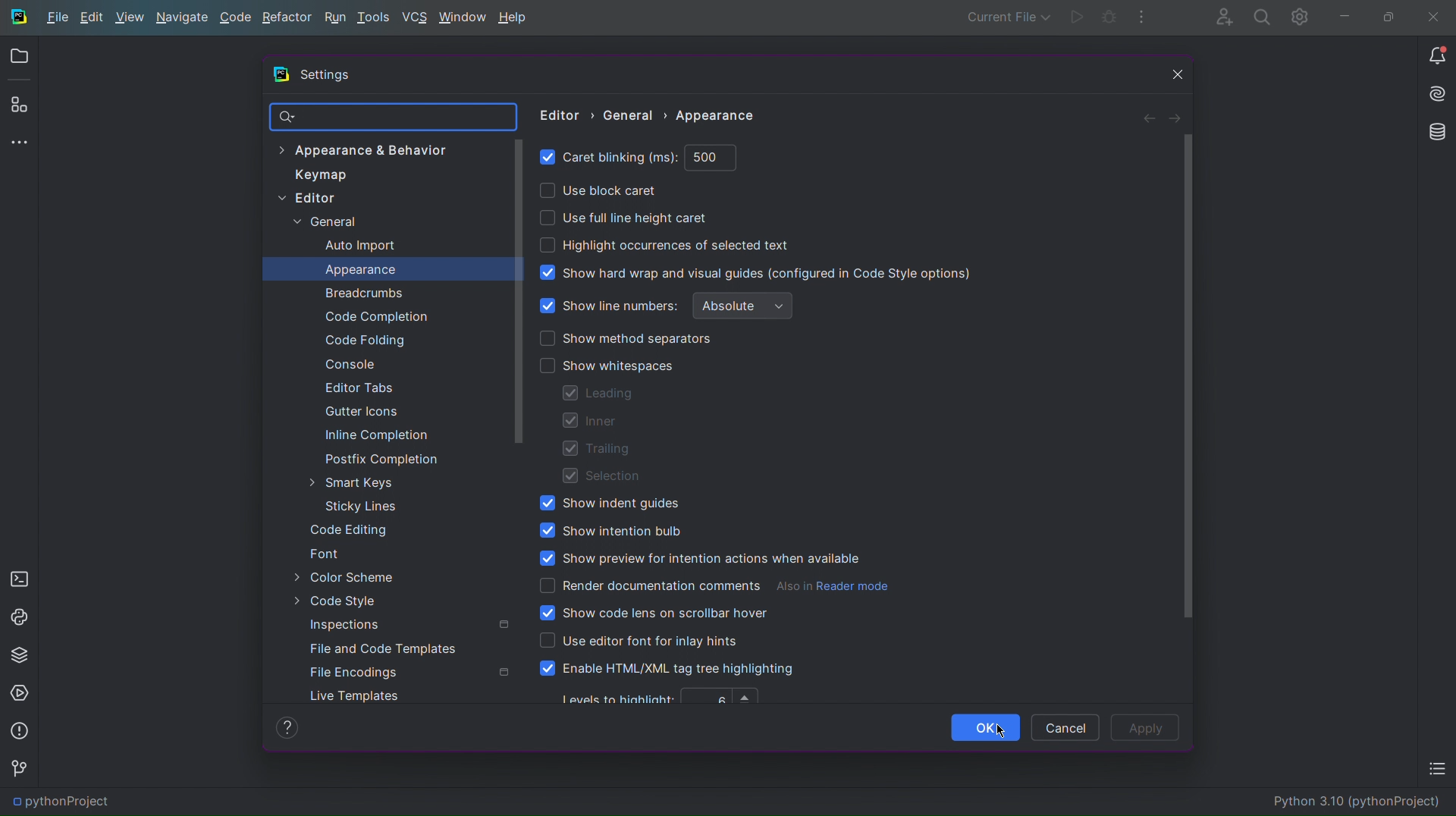 The image size is (1456, 816). What do you see at coordinates (353, 415) in the screenshot?
I see `Gutter Icons` at bounding box center [353, 415].